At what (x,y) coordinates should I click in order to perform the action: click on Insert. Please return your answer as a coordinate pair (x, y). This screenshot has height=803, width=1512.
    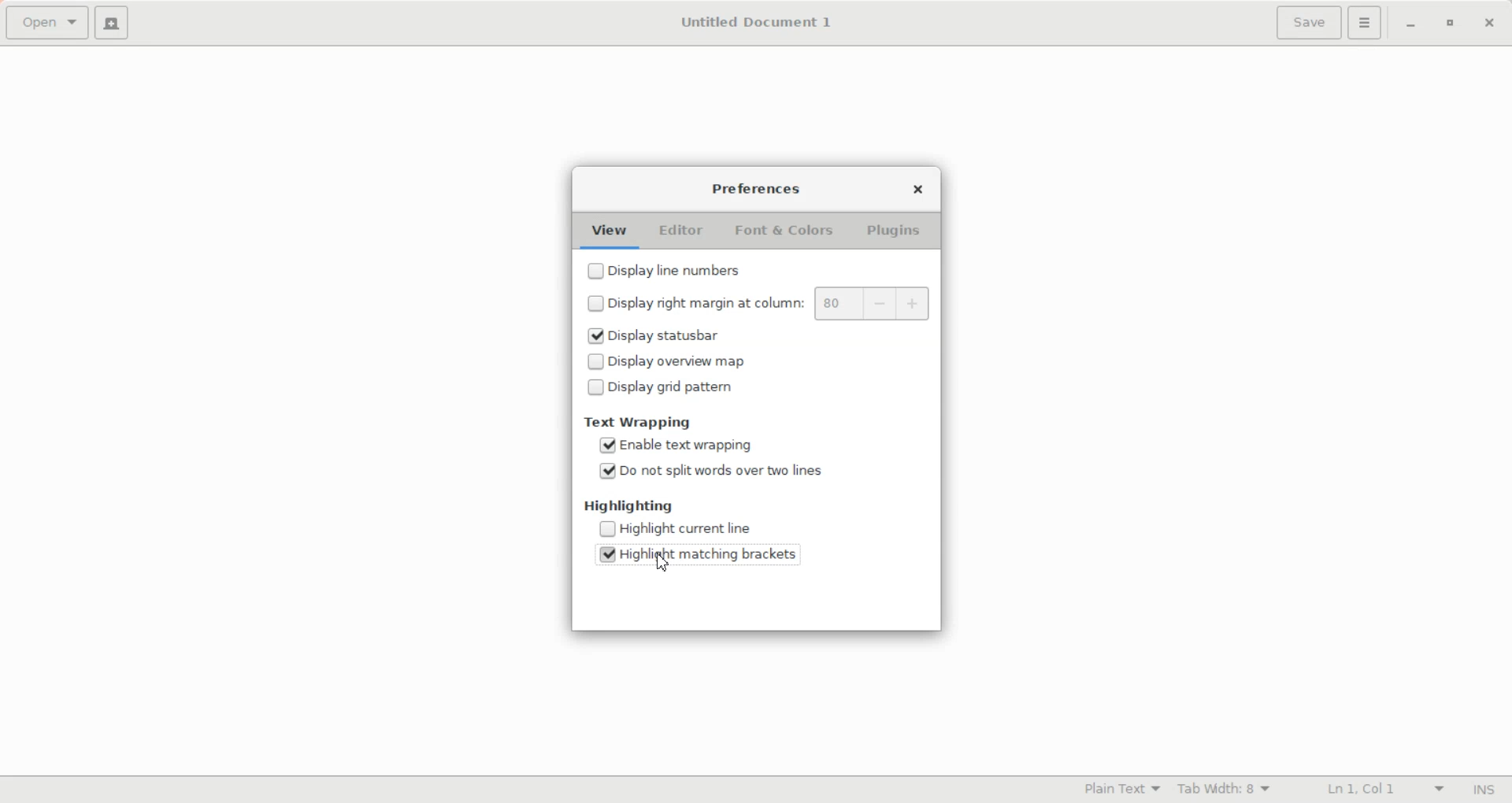
    Looking at the image, I should click on (1479, 790).